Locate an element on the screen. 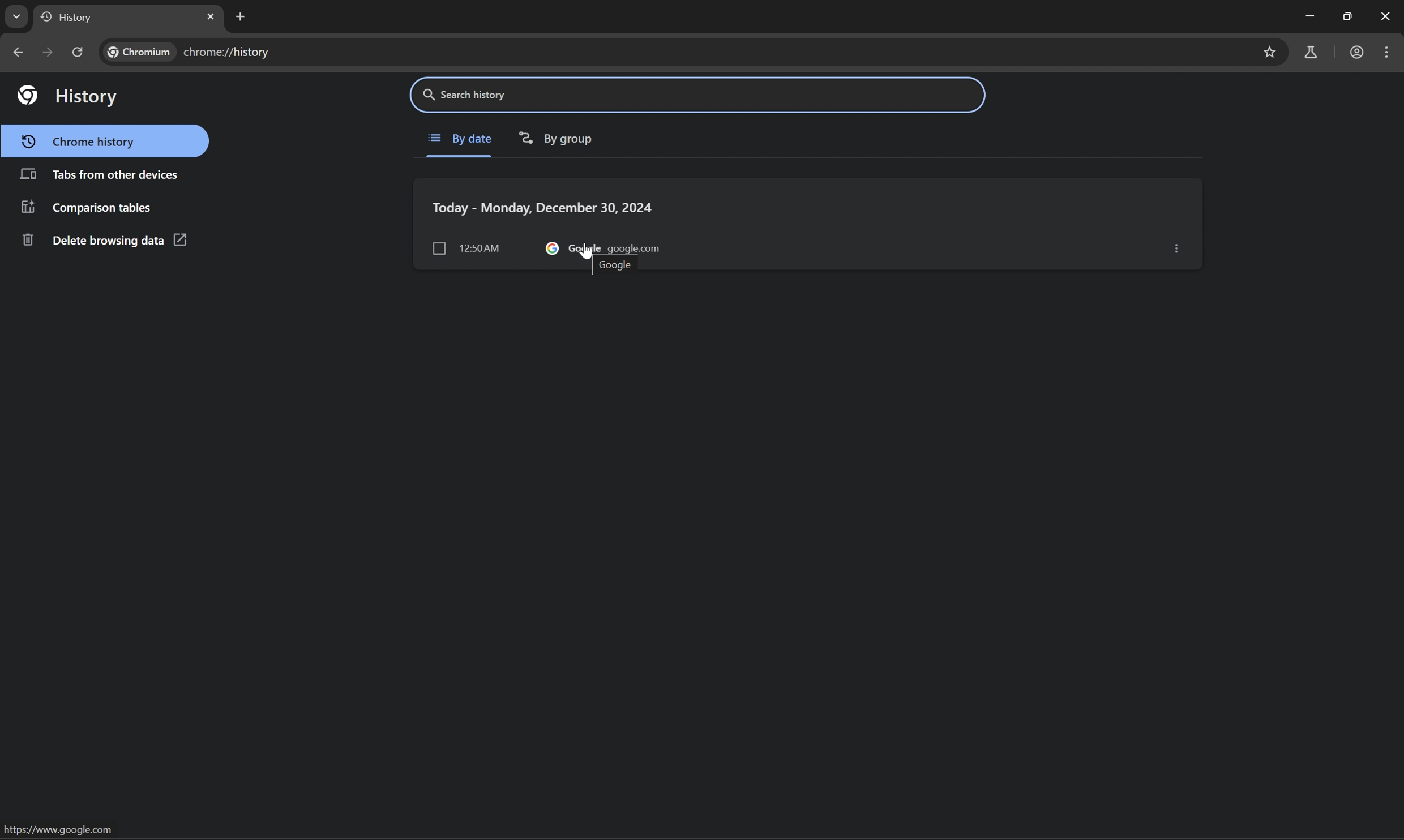  reload is located at coordinates (81, 51).